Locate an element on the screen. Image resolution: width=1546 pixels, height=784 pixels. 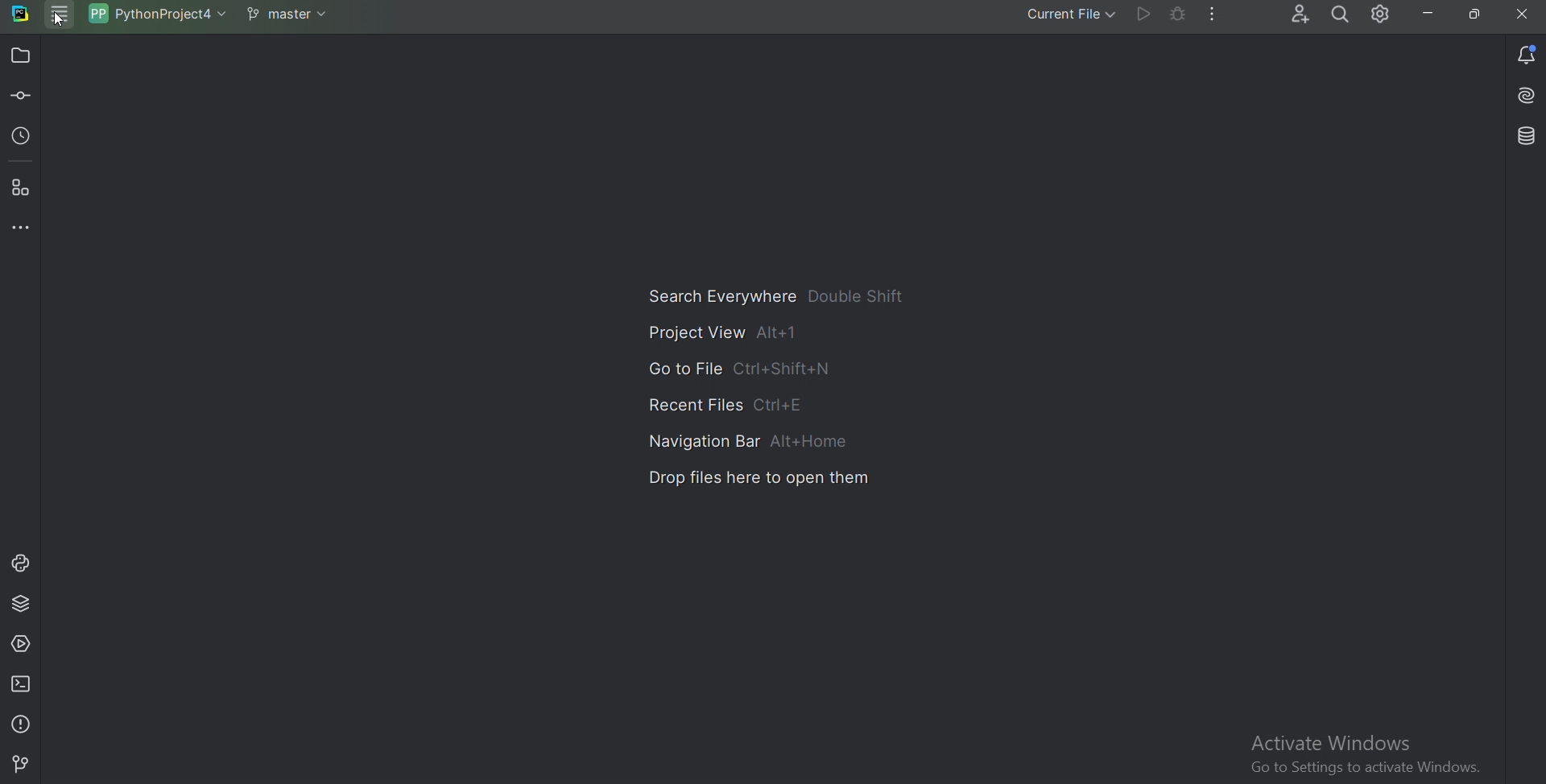
More tool windows is located at coordinates (21, 229).